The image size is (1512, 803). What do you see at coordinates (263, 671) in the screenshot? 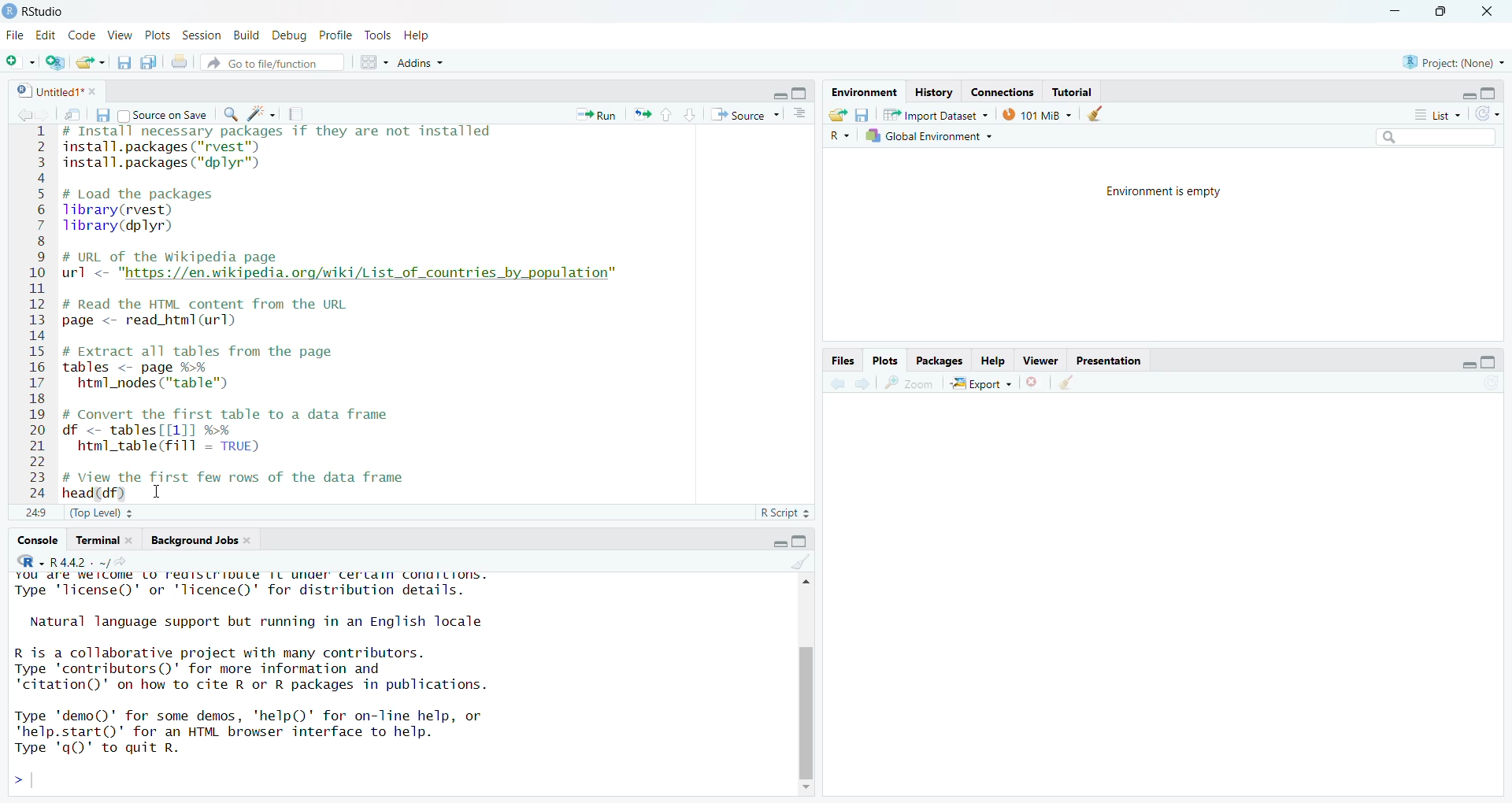
I see `R is a collaborative project with many contributors.
Type 'contributors()' for more information and
"citation()' on how to cite R or R packages in publications.` at bounding box center [263, 671].